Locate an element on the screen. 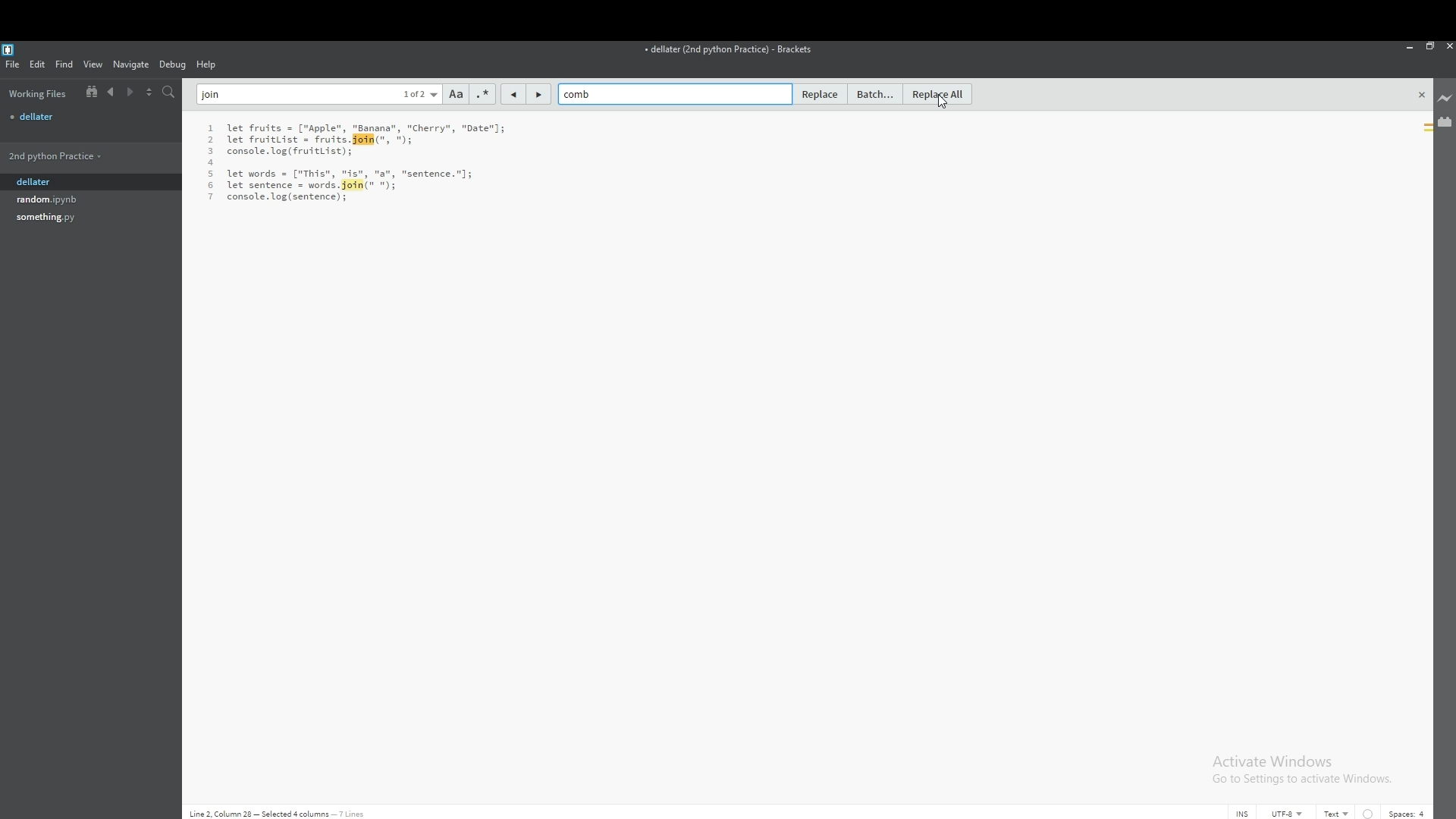  view is located at coordinates (93, 64).